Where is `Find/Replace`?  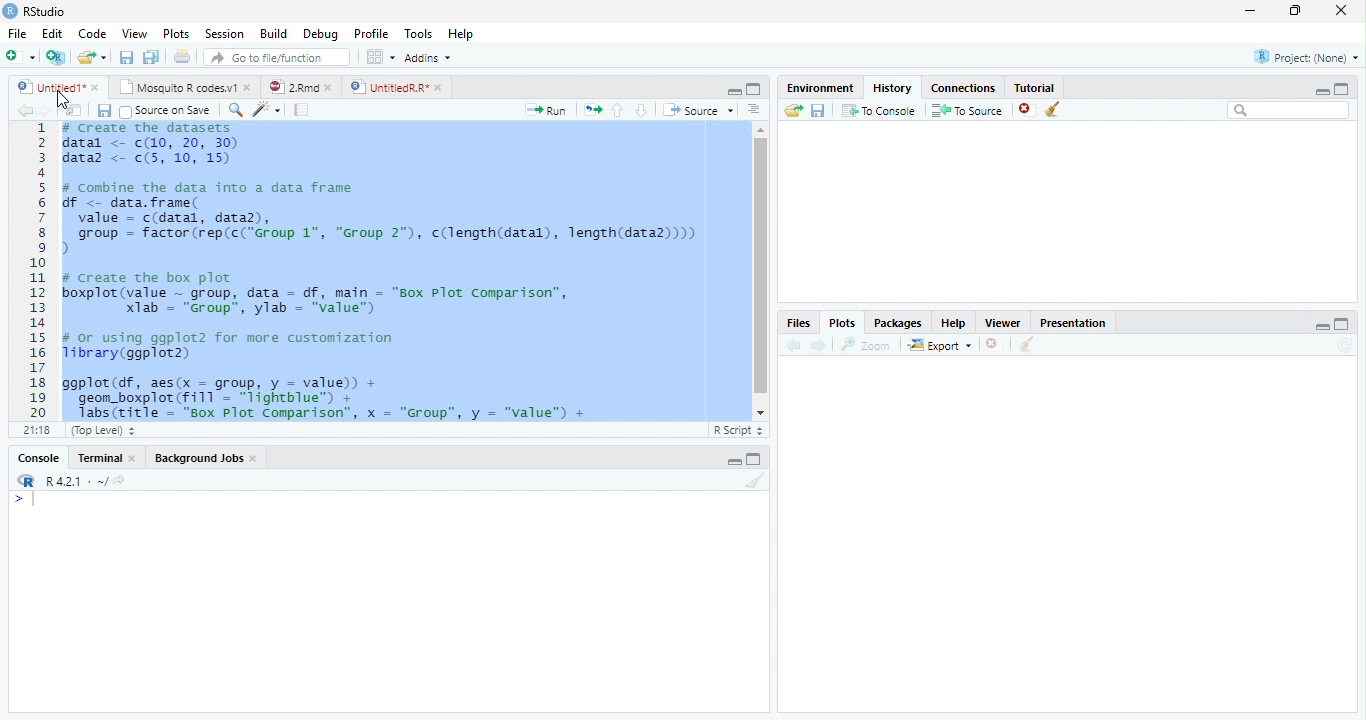 Find/Replace is located at coordinates (235, 110).